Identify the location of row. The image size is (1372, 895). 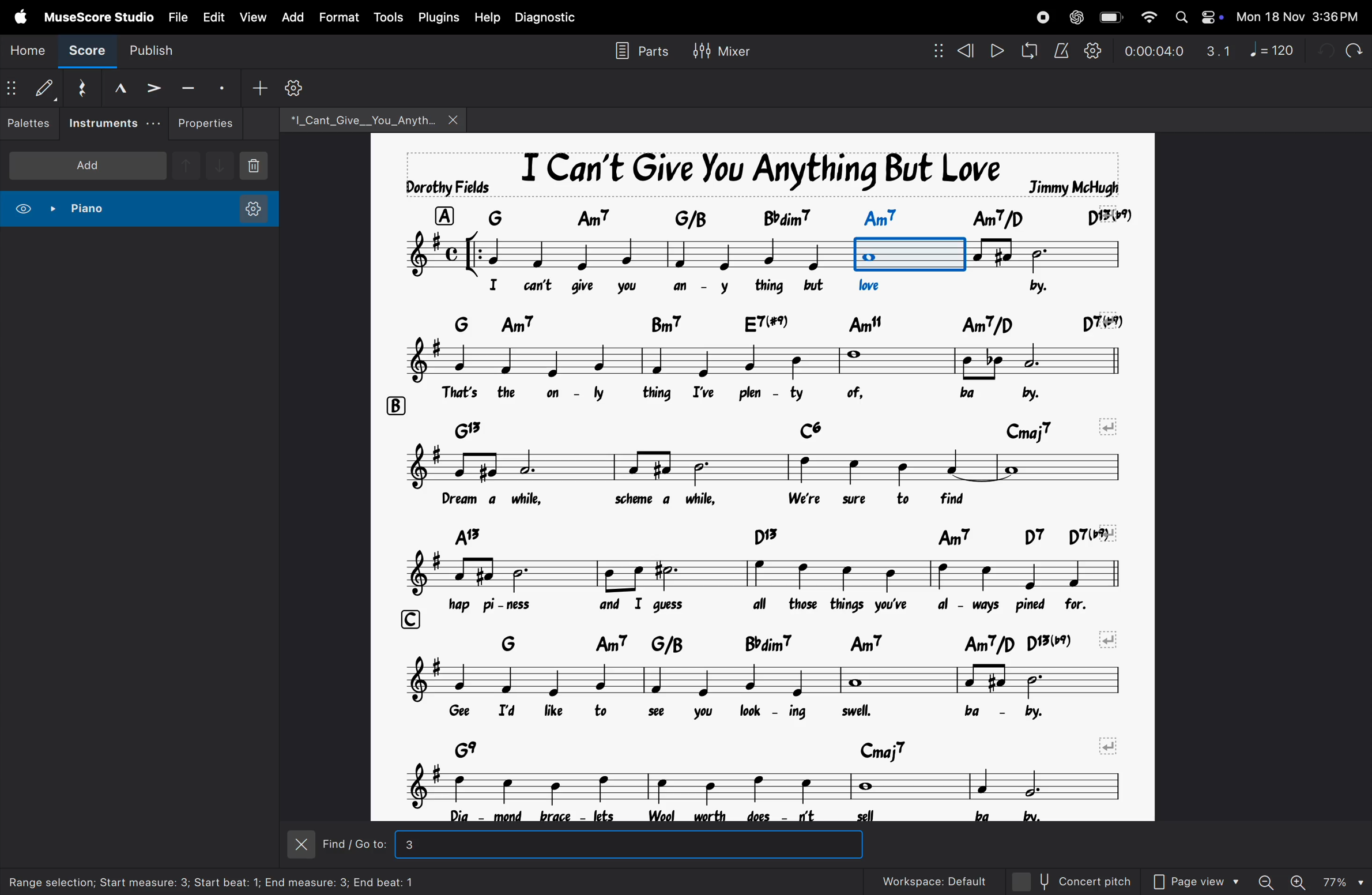
(444, 216).